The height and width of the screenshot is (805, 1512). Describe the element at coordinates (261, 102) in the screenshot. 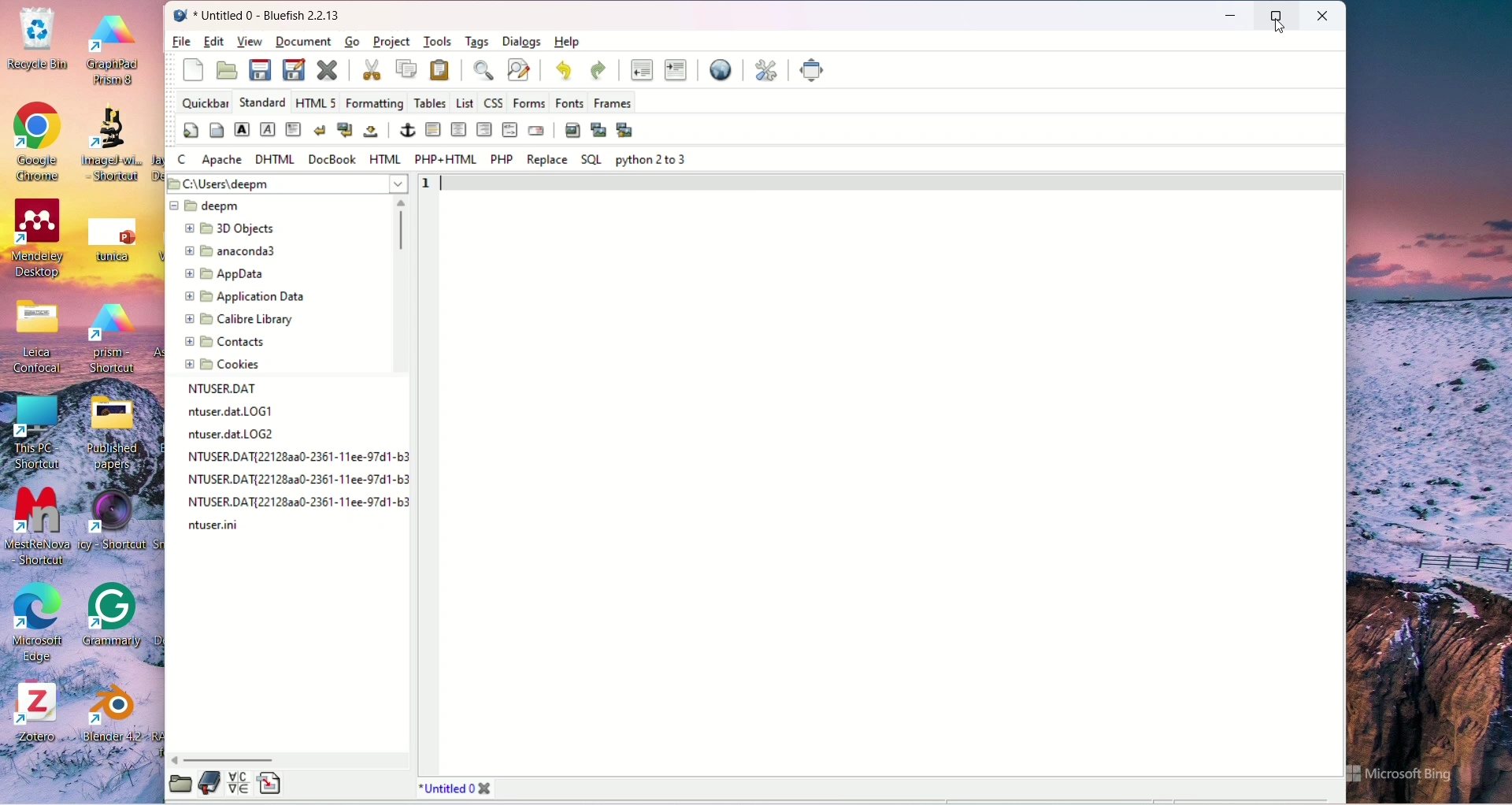

I see `standard` at that location.